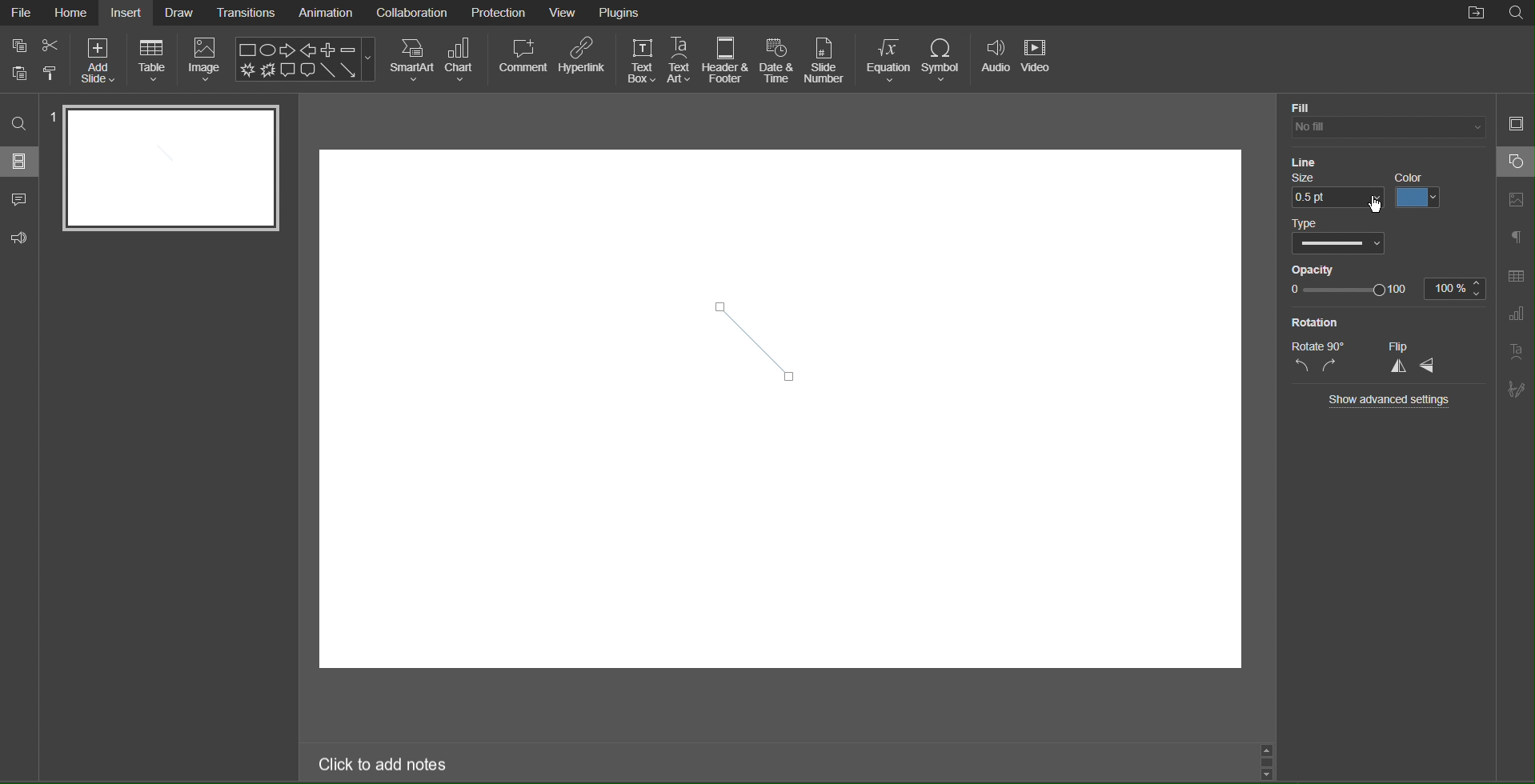 This screenshot has width=1535, height=784. I want to click on Type, so click(1305, 223).